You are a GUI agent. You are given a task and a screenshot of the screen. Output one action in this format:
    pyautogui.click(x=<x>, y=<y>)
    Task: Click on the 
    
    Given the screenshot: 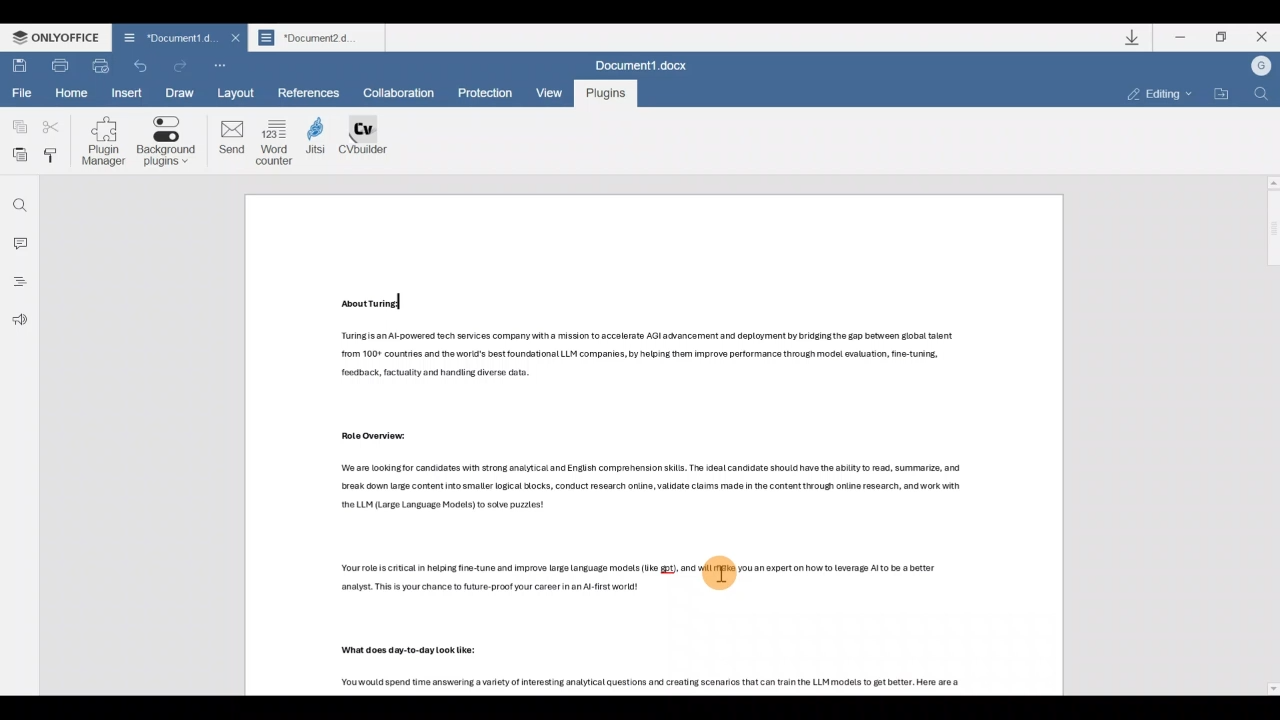 What is the action you would take?
    pyautogui.click(x=409, y=651)
    